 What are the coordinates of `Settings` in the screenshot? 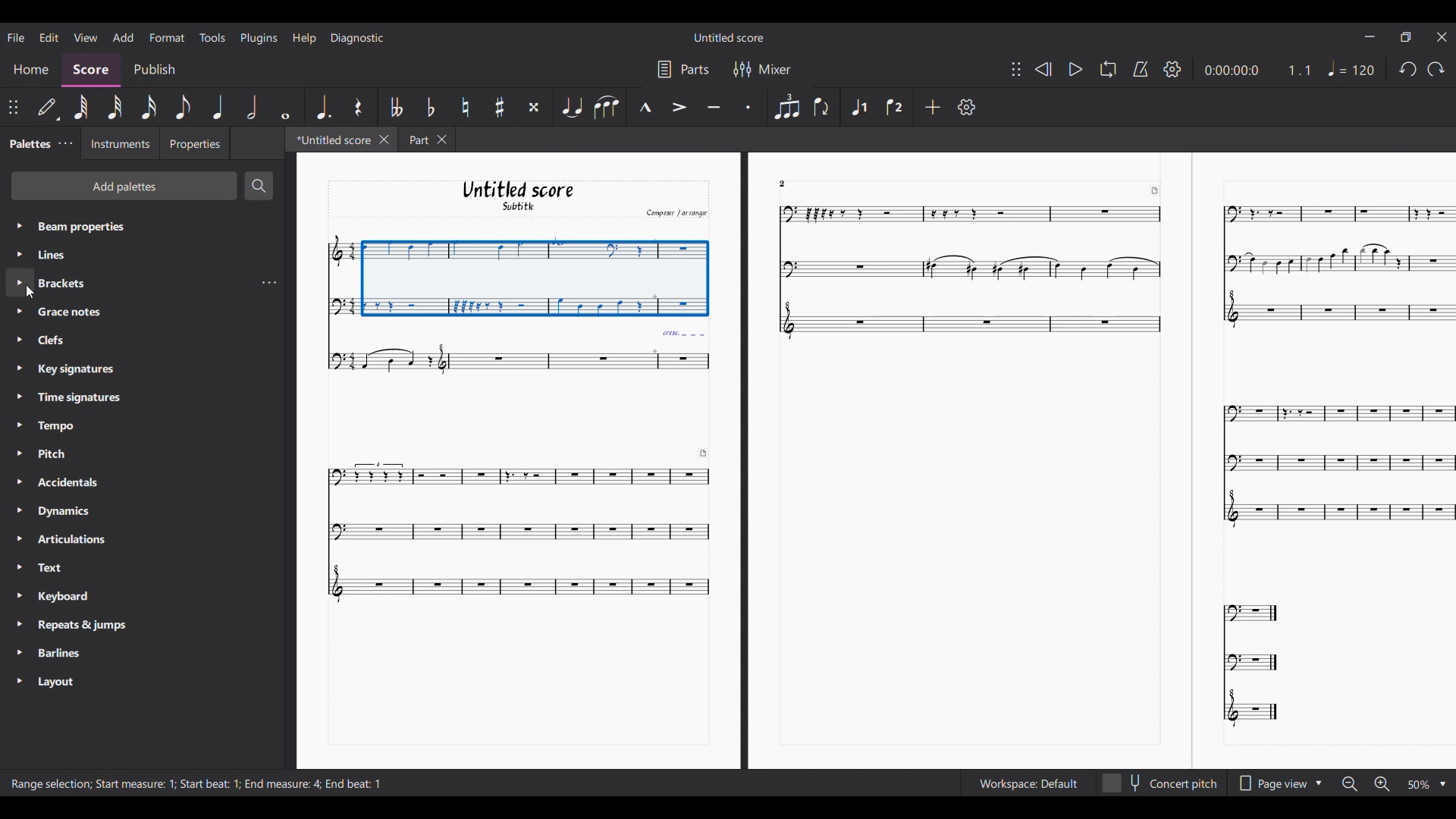 It's located at (1173, 69).